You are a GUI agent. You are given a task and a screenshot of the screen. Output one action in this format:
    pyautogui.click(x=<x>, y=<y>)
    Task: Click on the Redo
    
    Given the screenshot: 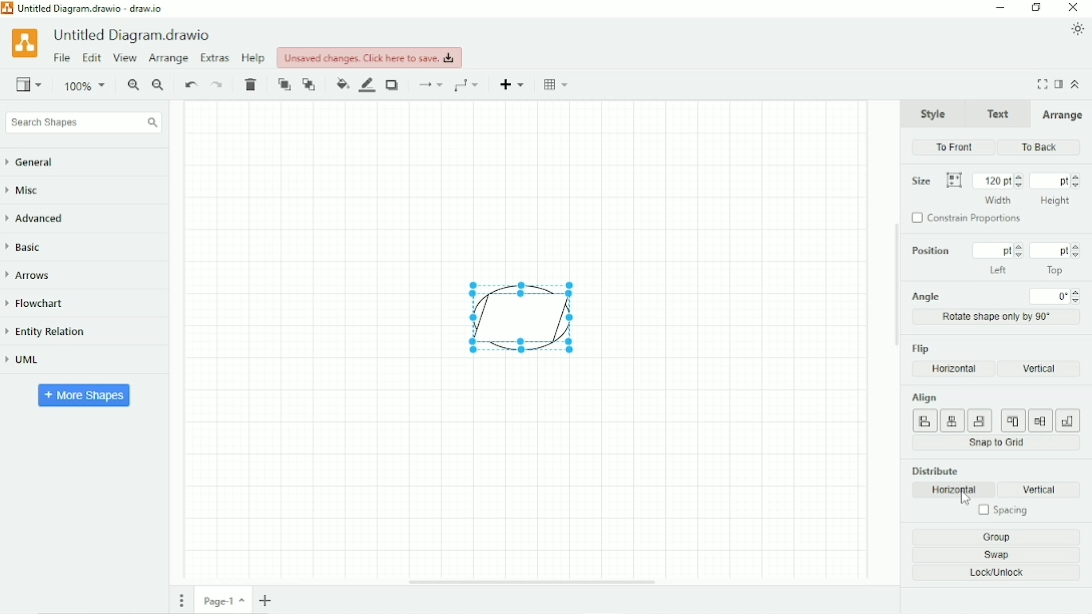 What is the action you would take?
    pyautogui.click(x=218, y=85)
    